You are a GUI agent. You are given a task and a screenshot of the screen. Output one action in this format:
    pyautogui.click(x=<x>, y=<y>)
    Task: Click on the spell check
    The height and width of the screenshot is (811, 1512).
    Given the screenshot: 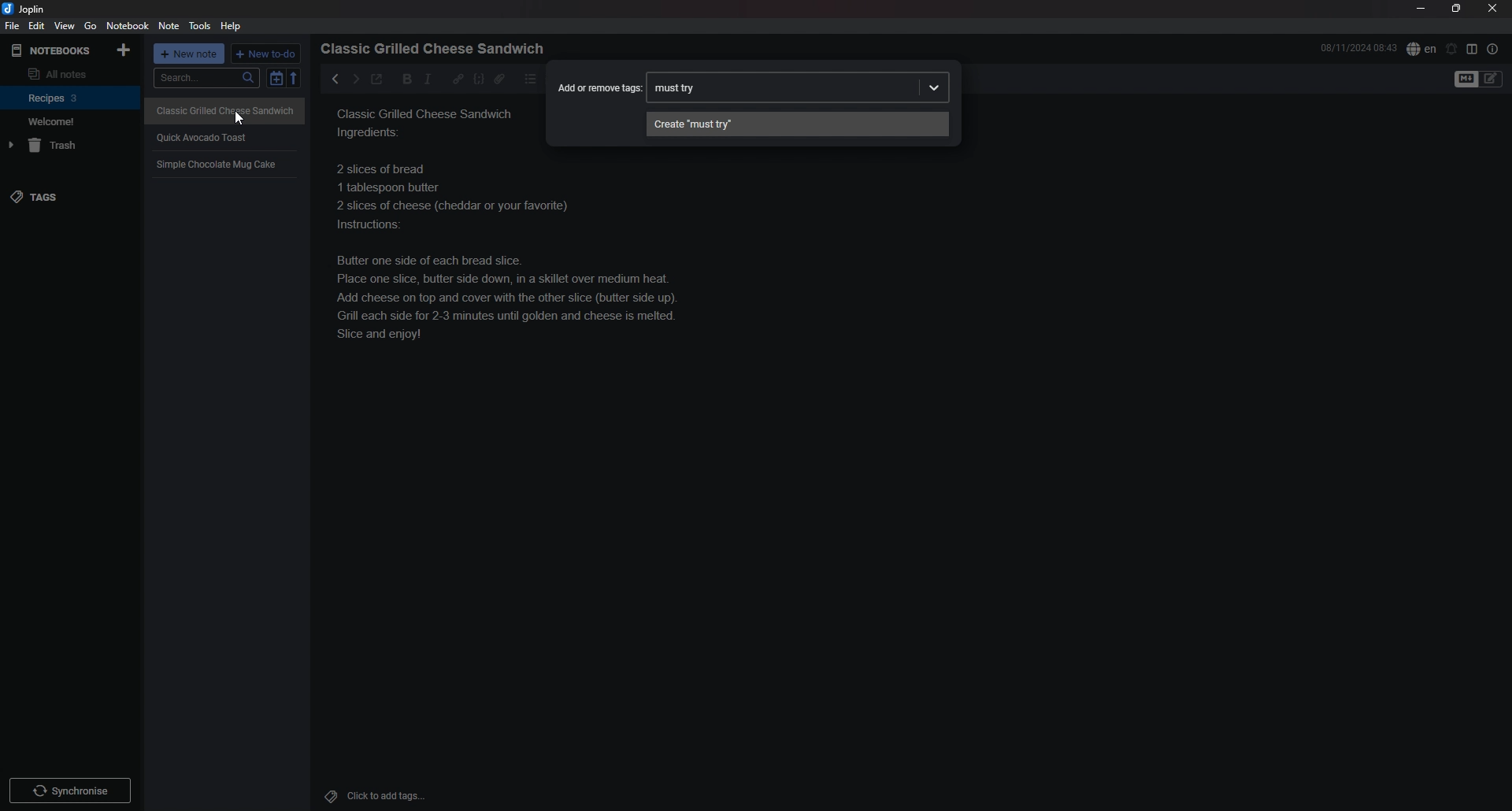 What is the action you would take?
    pyautogui.click(x=1421, y=48)
    